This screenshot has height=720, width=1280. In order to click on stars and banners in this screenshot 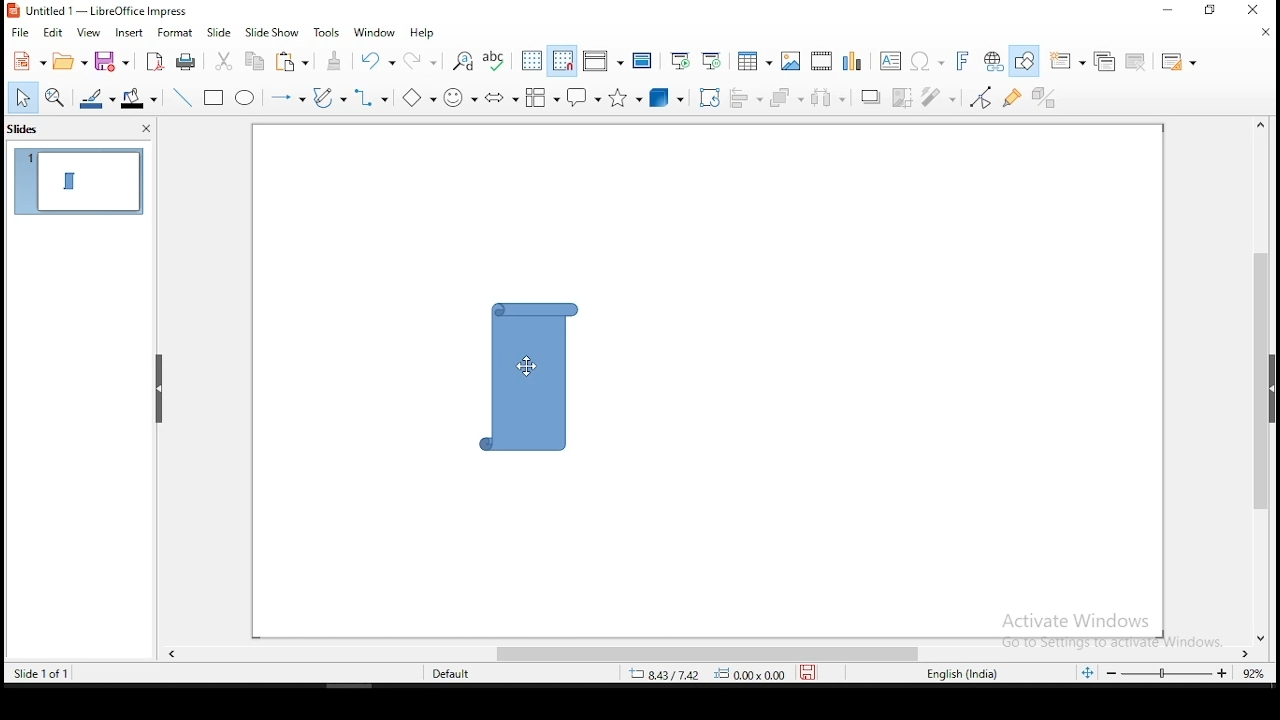, I will do `click(623, 97)`.